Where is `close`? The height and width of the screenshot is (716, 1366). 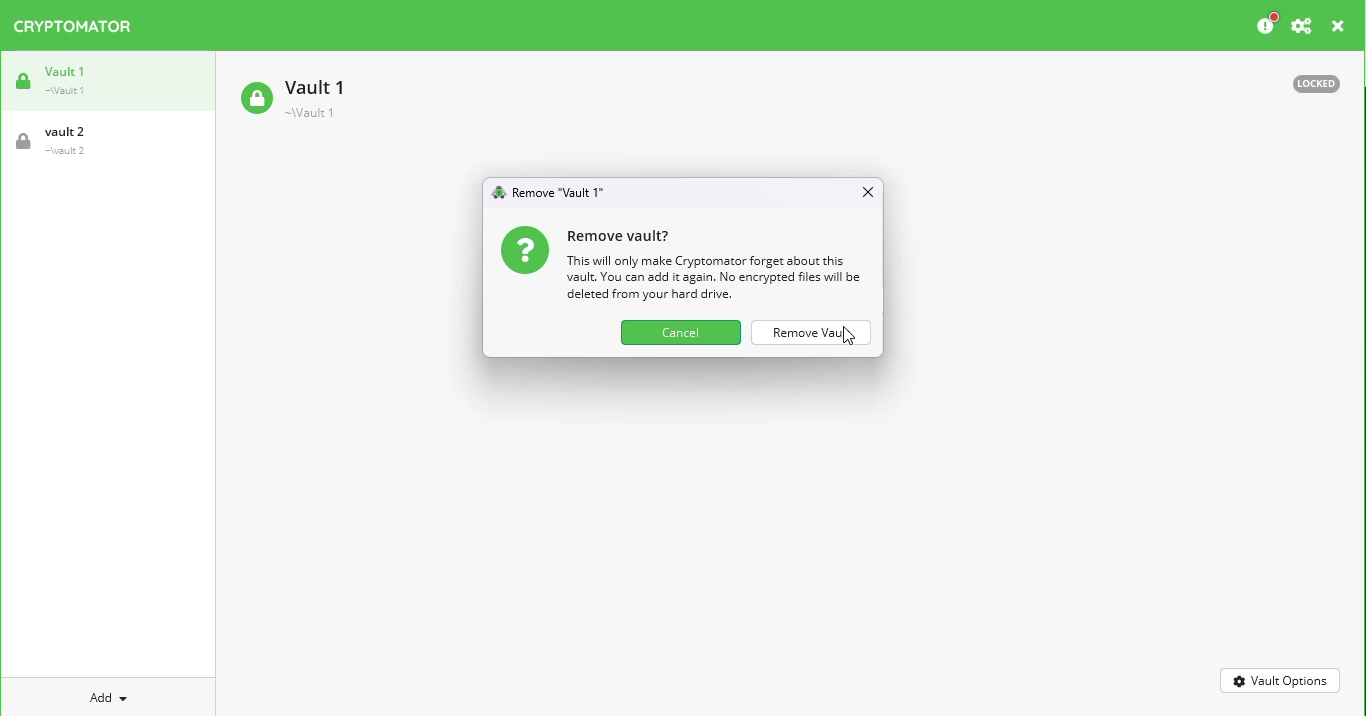 close is located at coordinates (1339, 27).